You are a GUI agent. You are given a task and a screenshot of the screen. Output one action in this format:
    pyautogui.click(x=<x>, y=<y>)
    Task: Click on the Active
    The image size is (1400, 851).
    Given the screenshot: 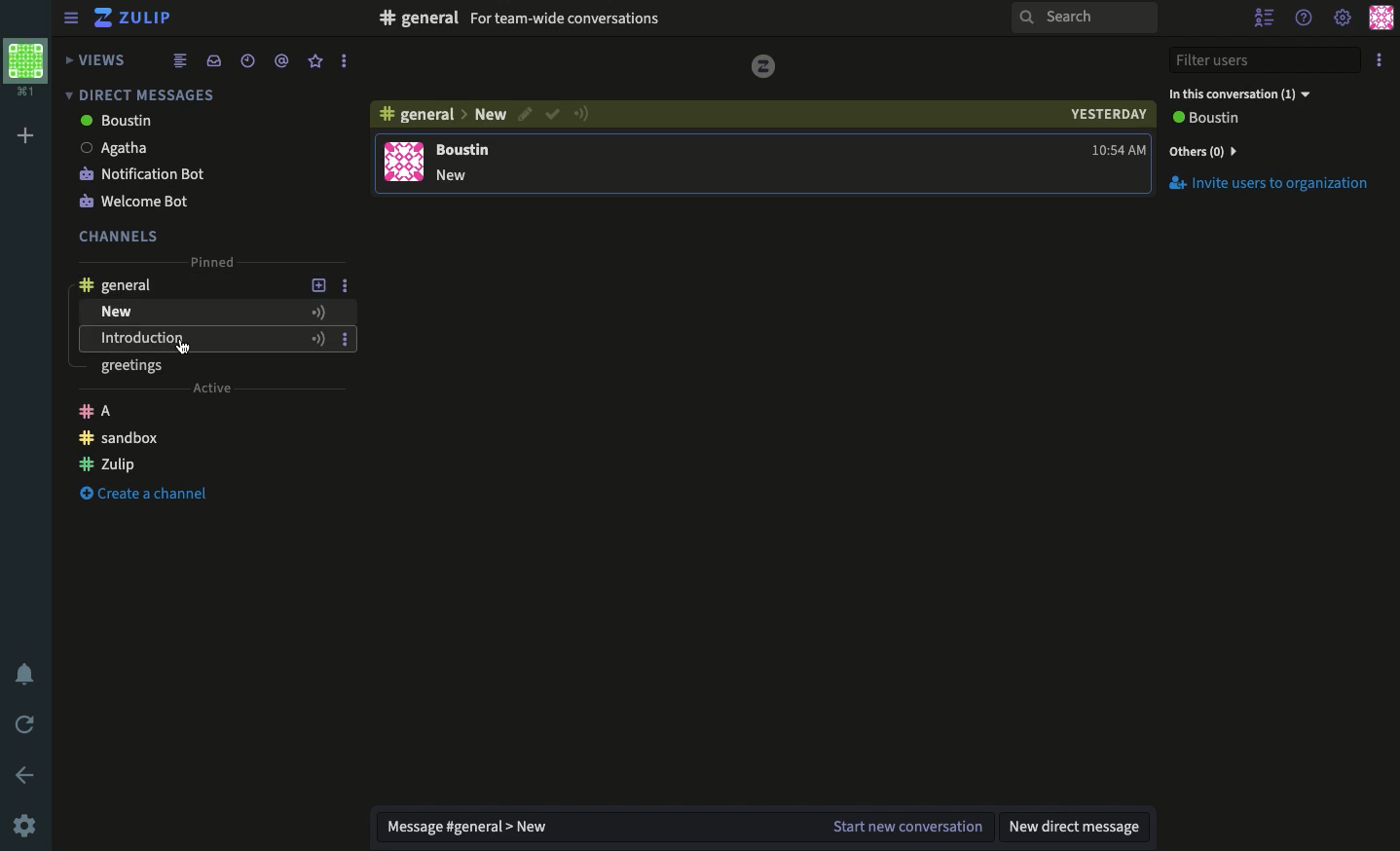 What is the action you would take?
    pyautogui.click(x=581, y=112)
    